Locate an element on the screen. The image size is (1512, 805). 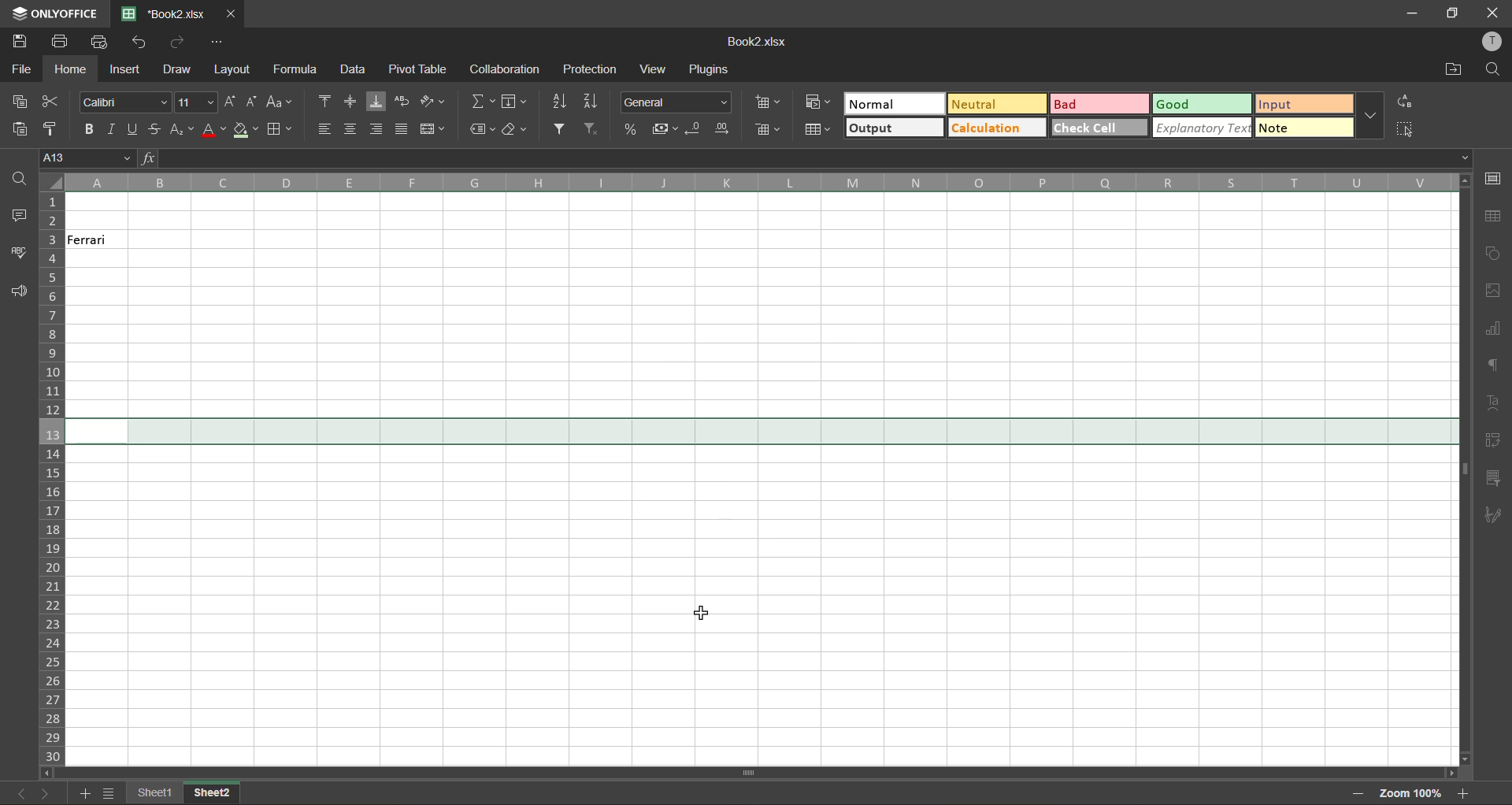
draw is located at coordinates (179, 71).